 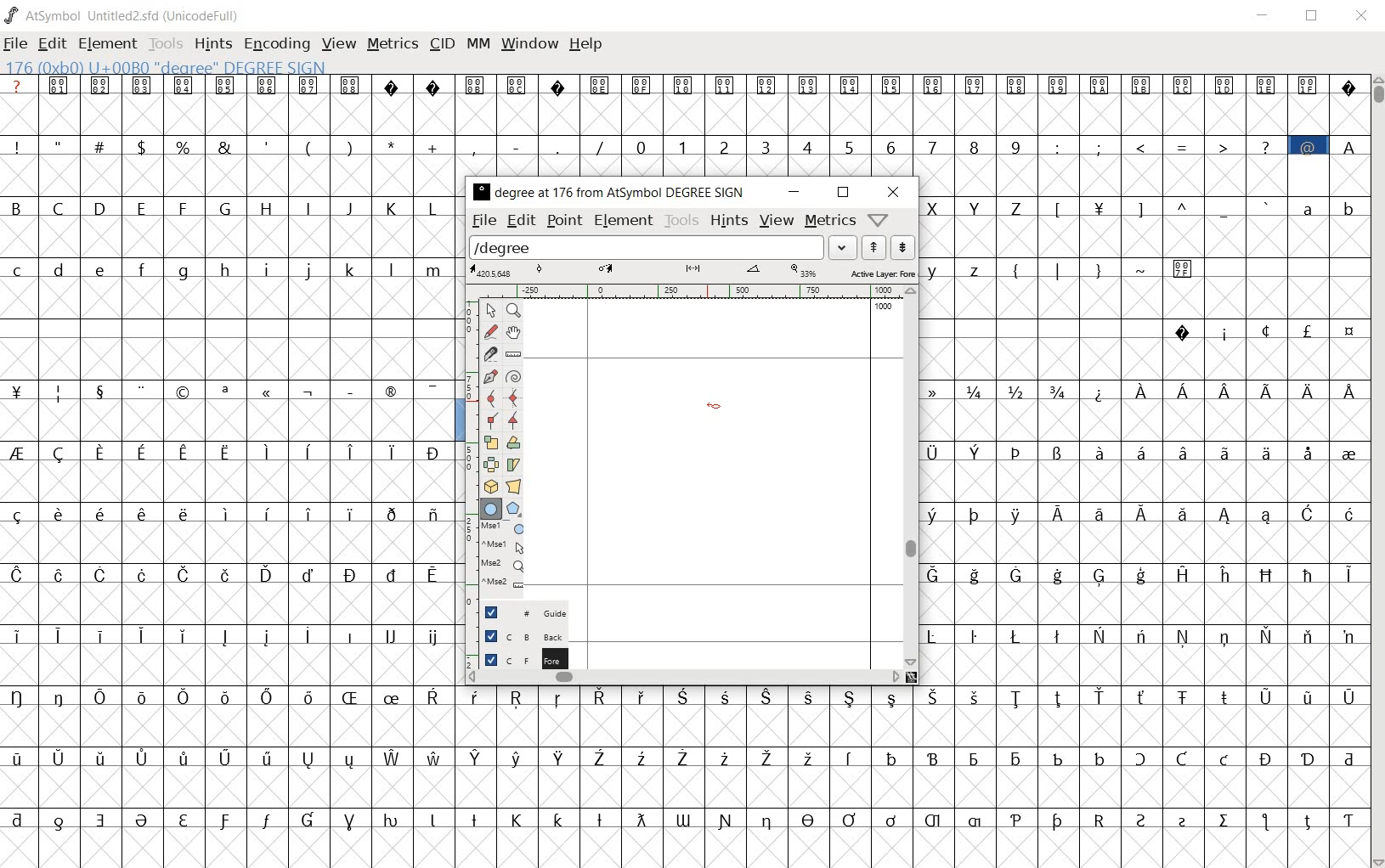 What do you see at coordinates (443, 44) in the screenshot?
I see `cid` at bounding box center [443, 44].